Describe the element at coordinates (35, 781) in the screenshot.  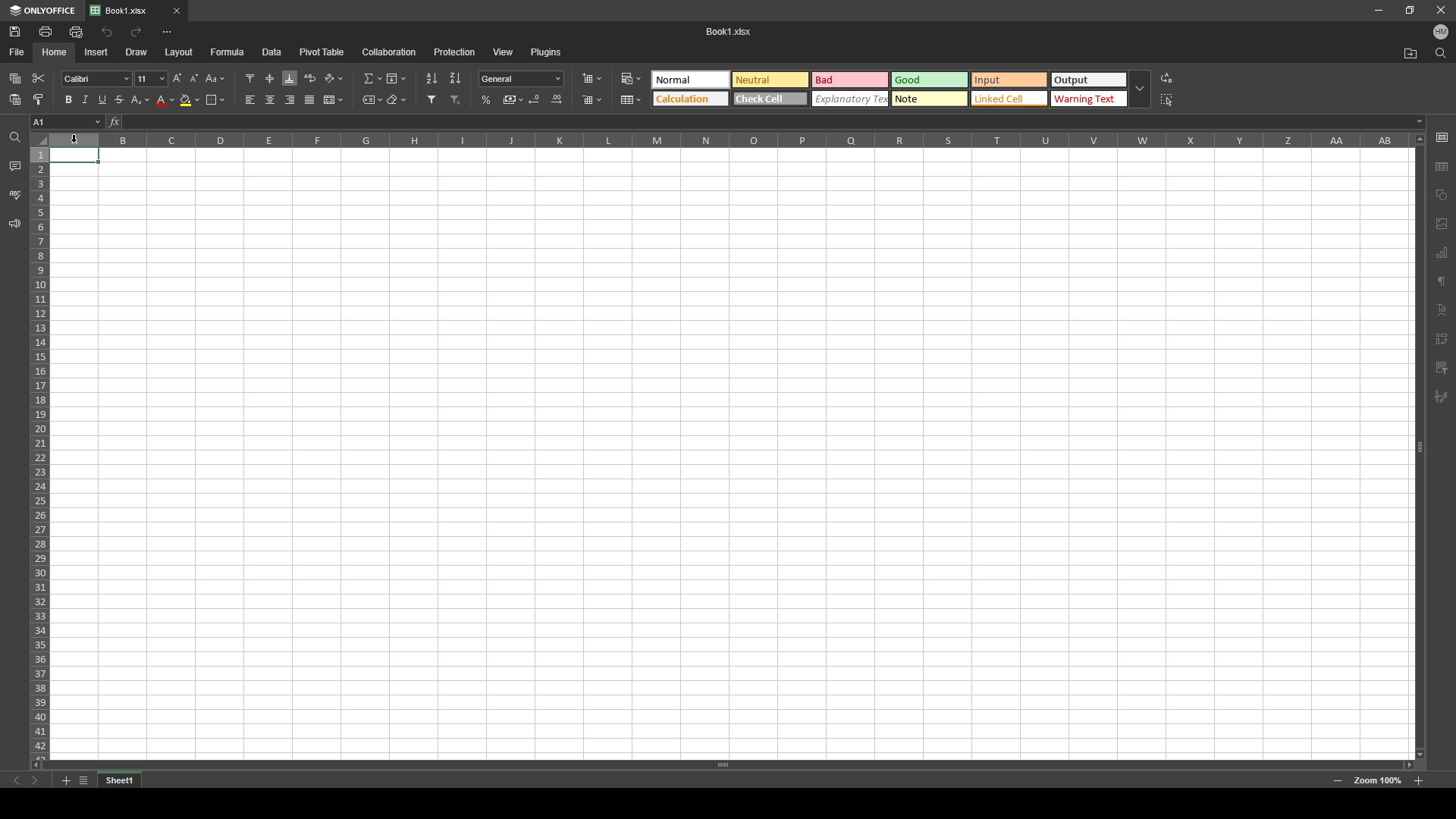
I see `next` at that location.